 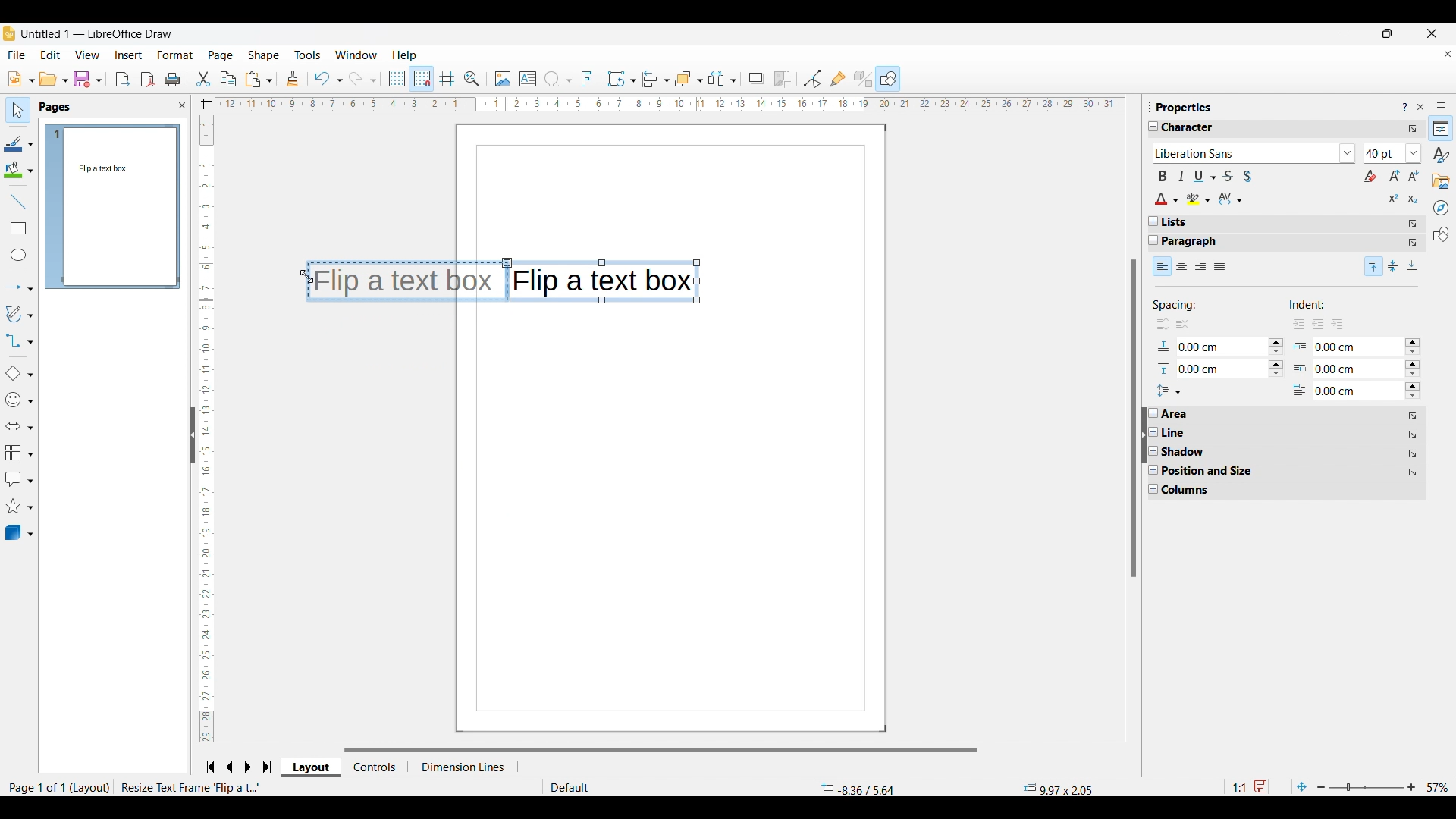 What do you see at coordinates (1388, 33) in the screenshot?
I see `Show in smaller tab` at bounding box center [1388, 33].